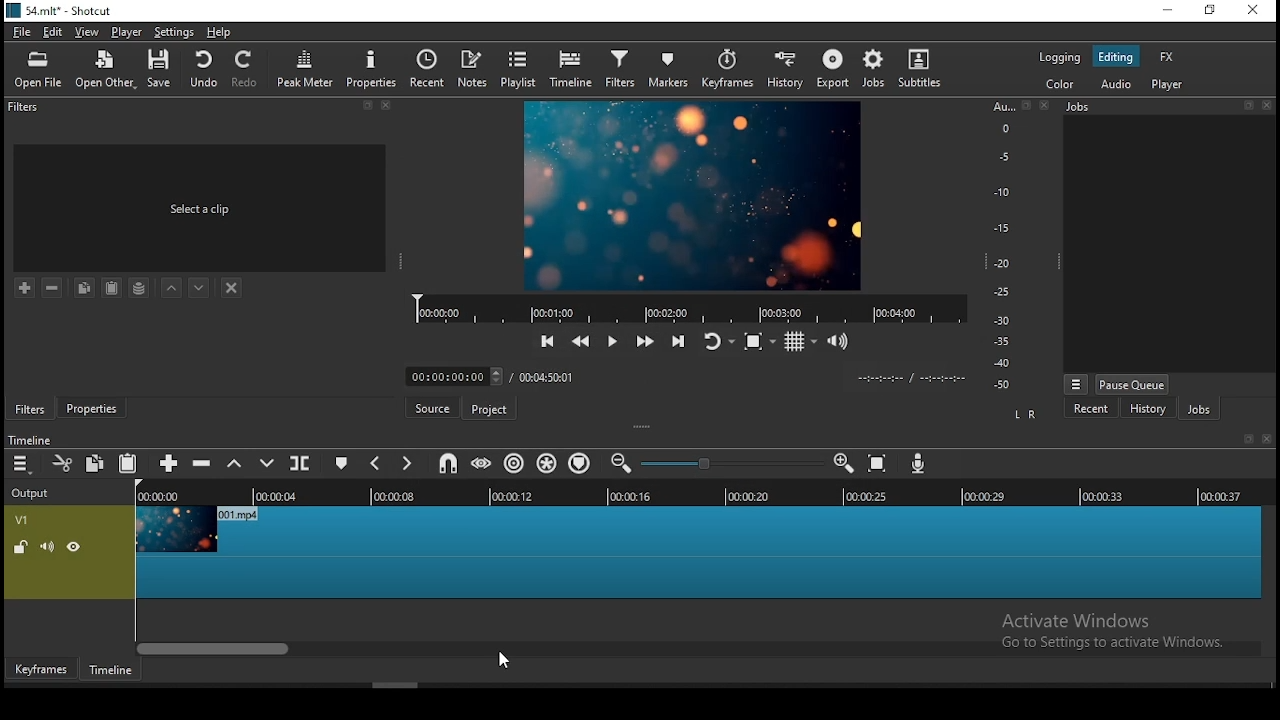  What do you see at coordinates (489, 408) in the screenshot?
I see `project` at bounding box center [489, 408].